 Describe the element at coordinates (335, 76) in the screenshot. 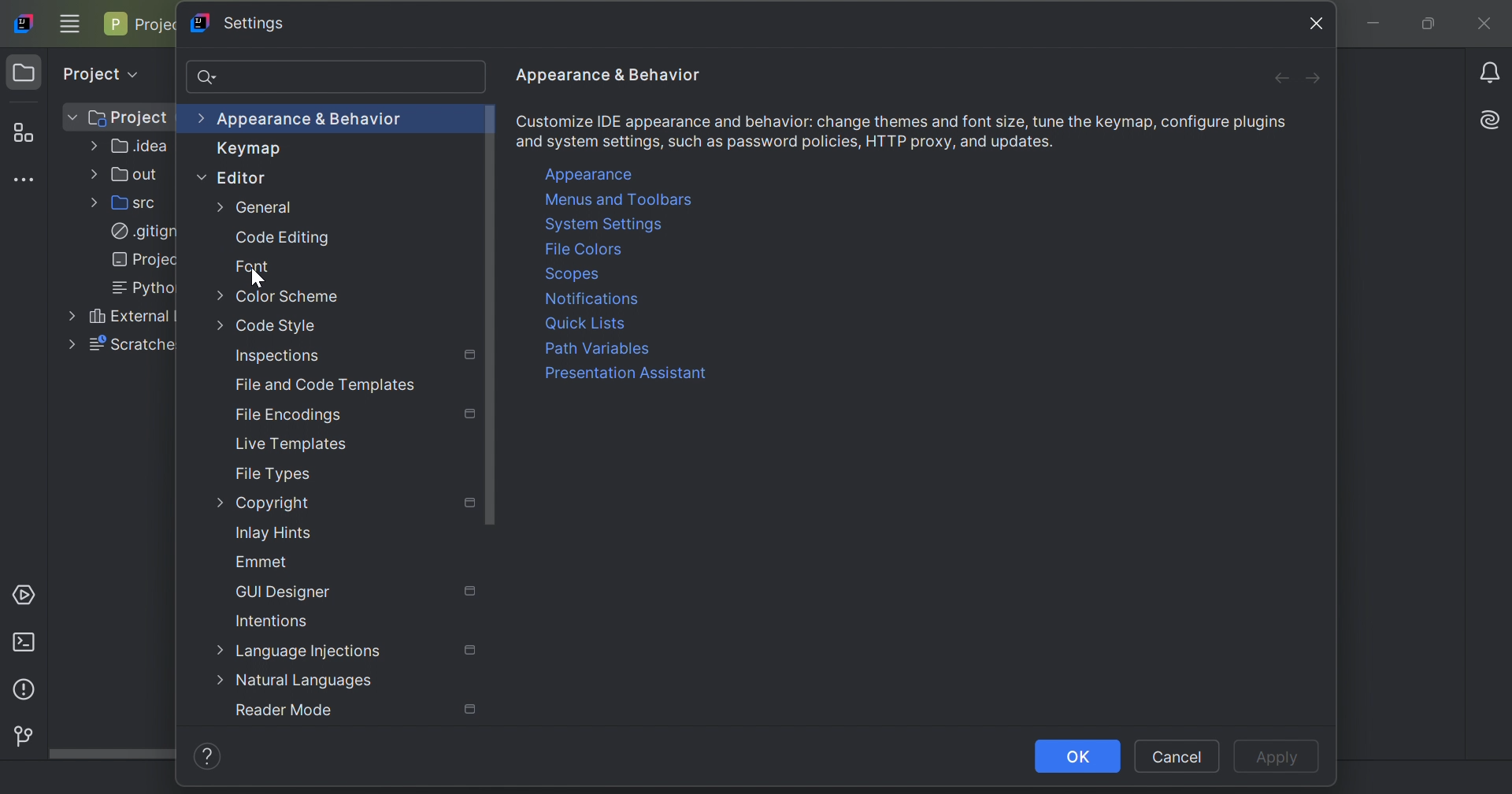

I see `search bar` at that location.